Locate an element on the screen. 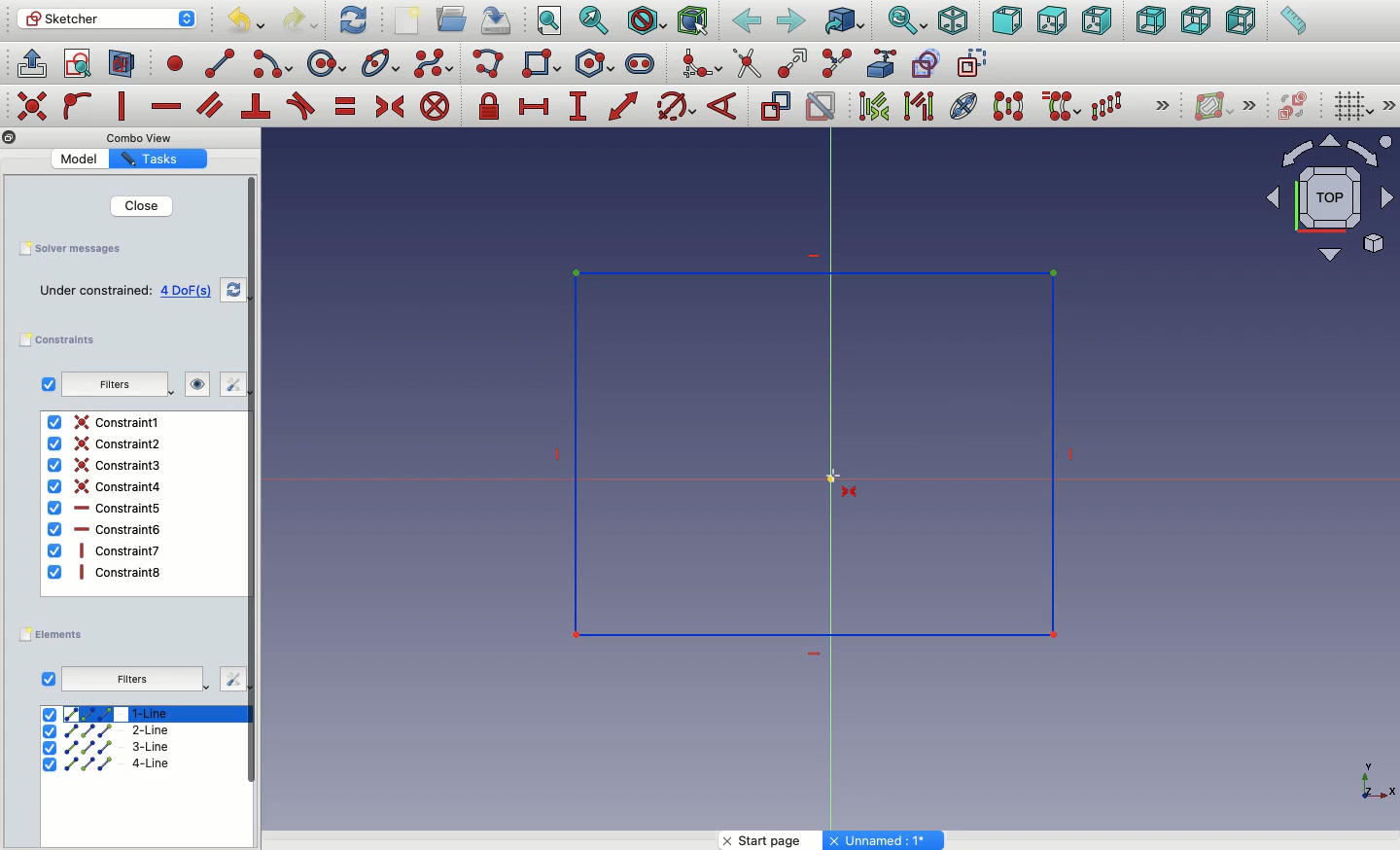 The width and height of the screenshot is (1400, 850). 4-line is located at coordinates (107, 763).